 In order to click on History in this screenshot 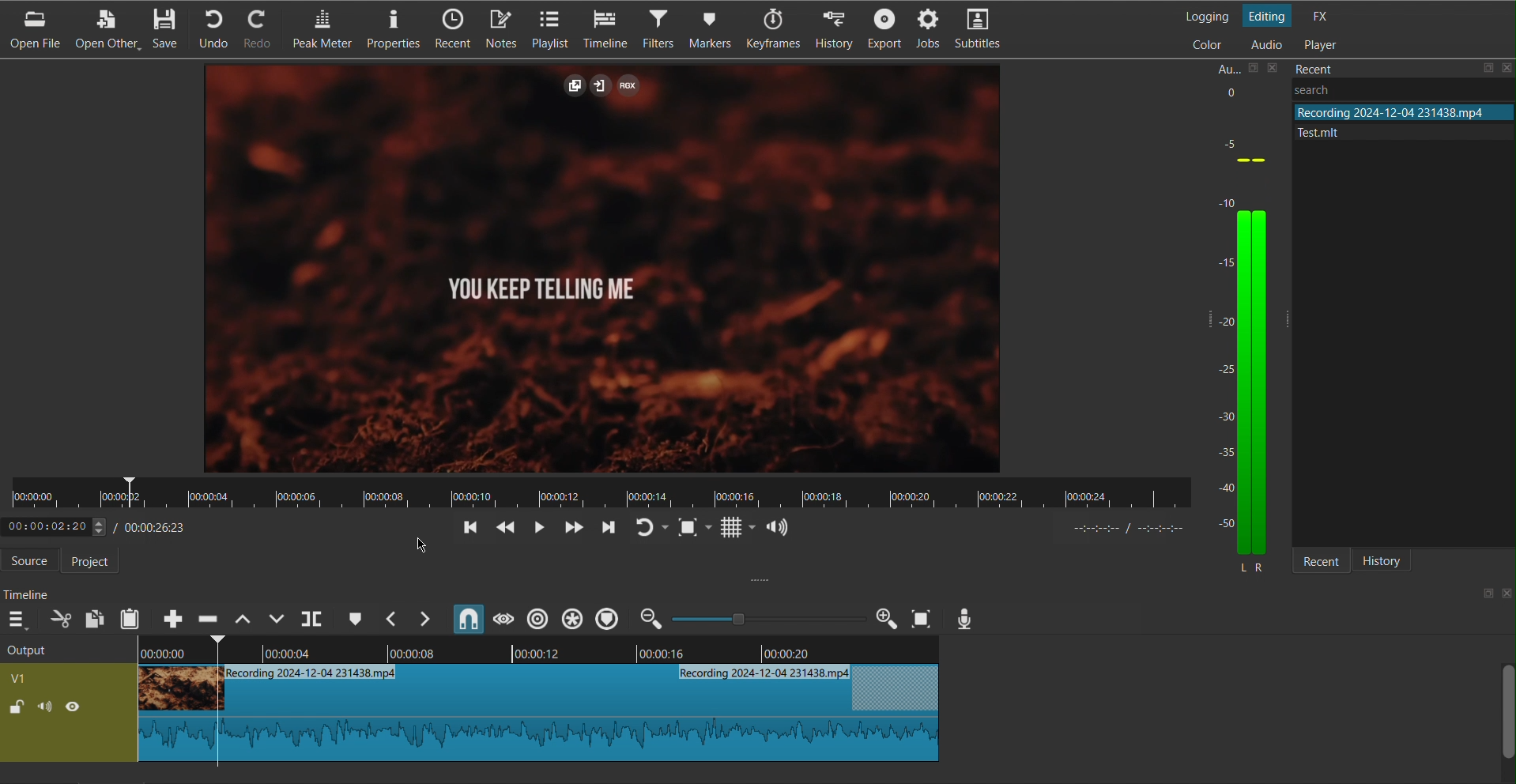, I will do `click(836, 32)`.